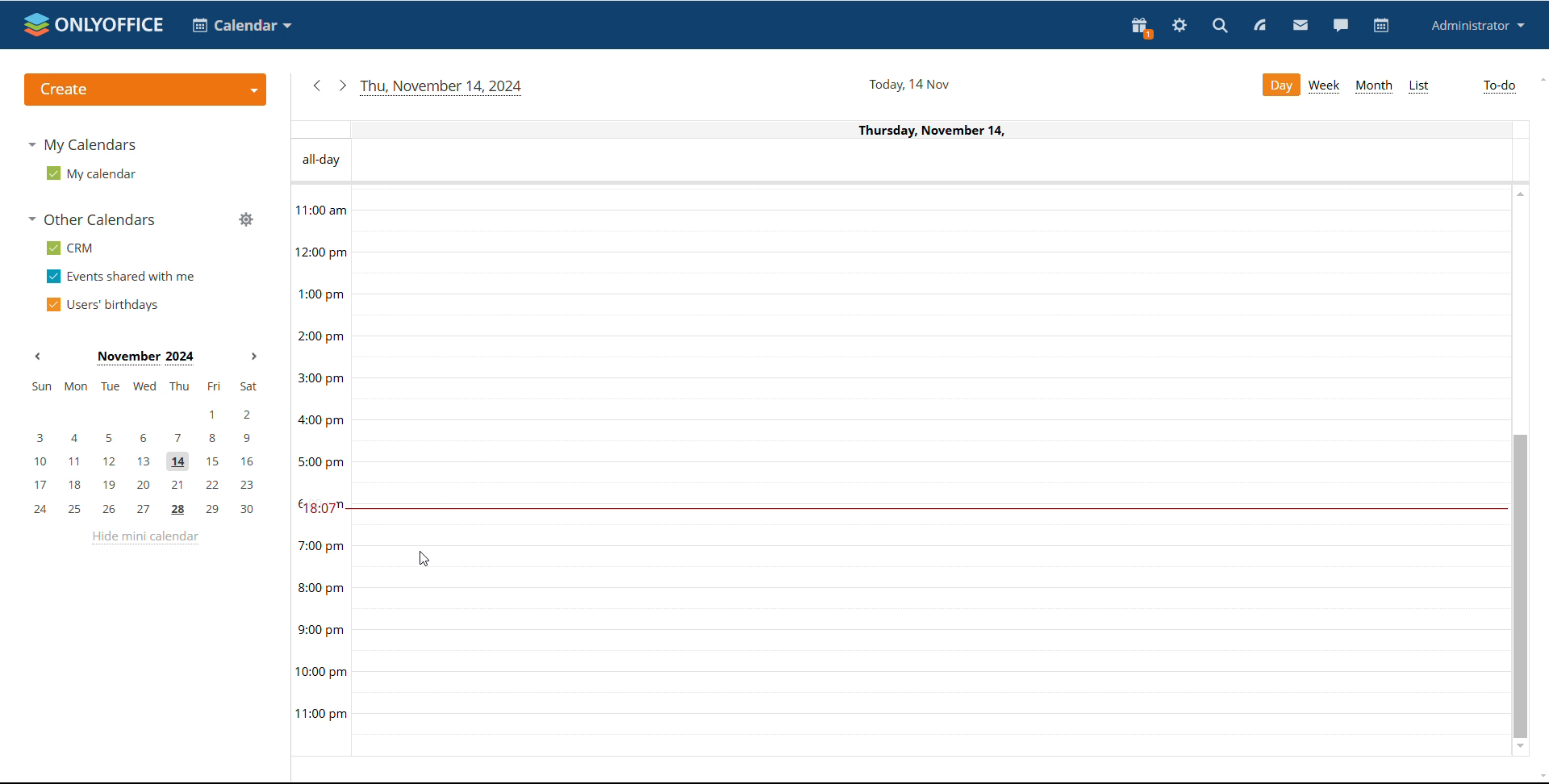 The width and height of the screenshot is (1549, 784). Describe the element at coordinates (909, 130) in the screenshot. I see `Current date` at that location.